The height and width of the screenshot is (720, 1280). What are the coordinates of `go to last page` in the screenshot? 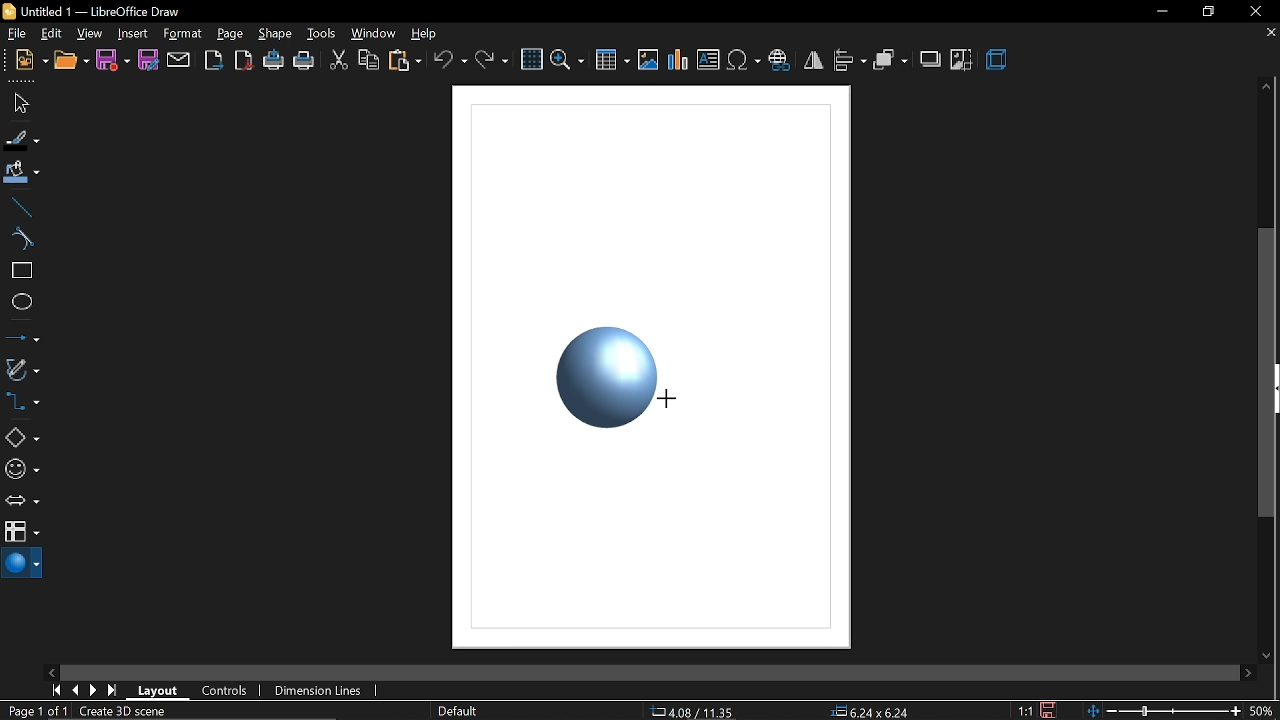 It's located at (115, 692).